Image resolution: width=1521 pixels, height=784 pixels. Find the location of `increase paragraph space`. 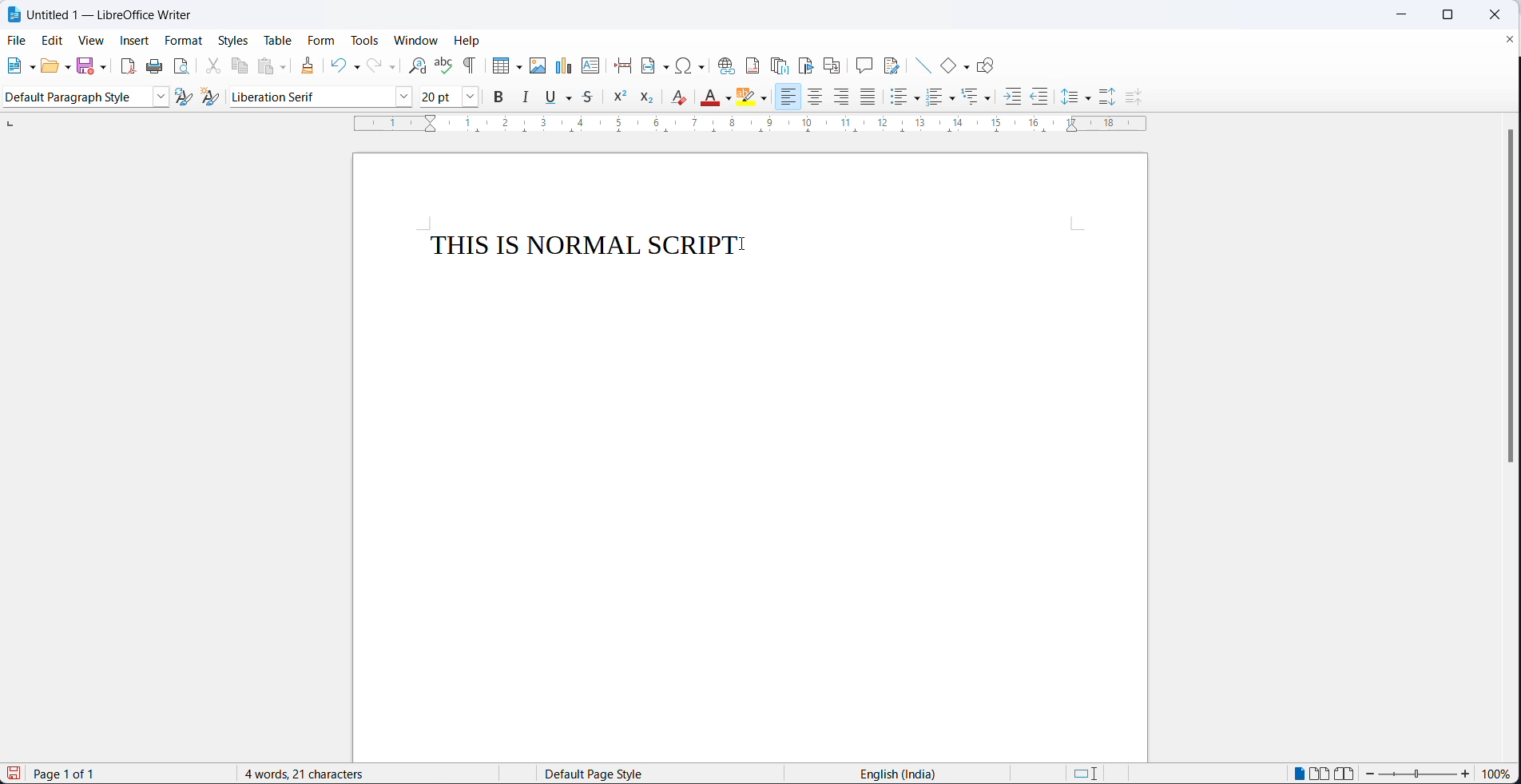

increase paragraph space is located at coordinates (1107, 97).